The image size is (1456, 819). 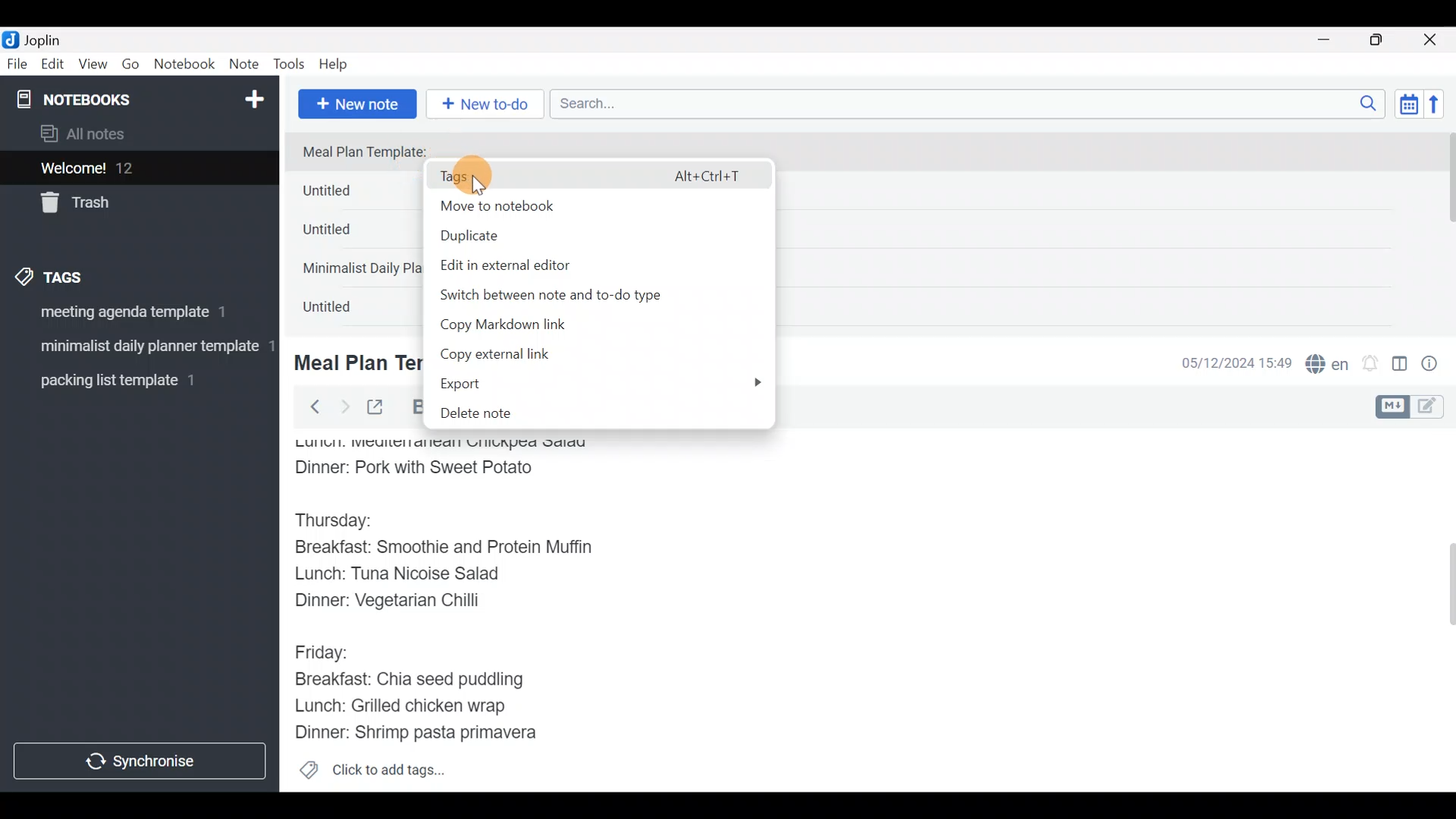 I want to click on Breakfast: Chia seed puddling, so click(x=417, y=679).